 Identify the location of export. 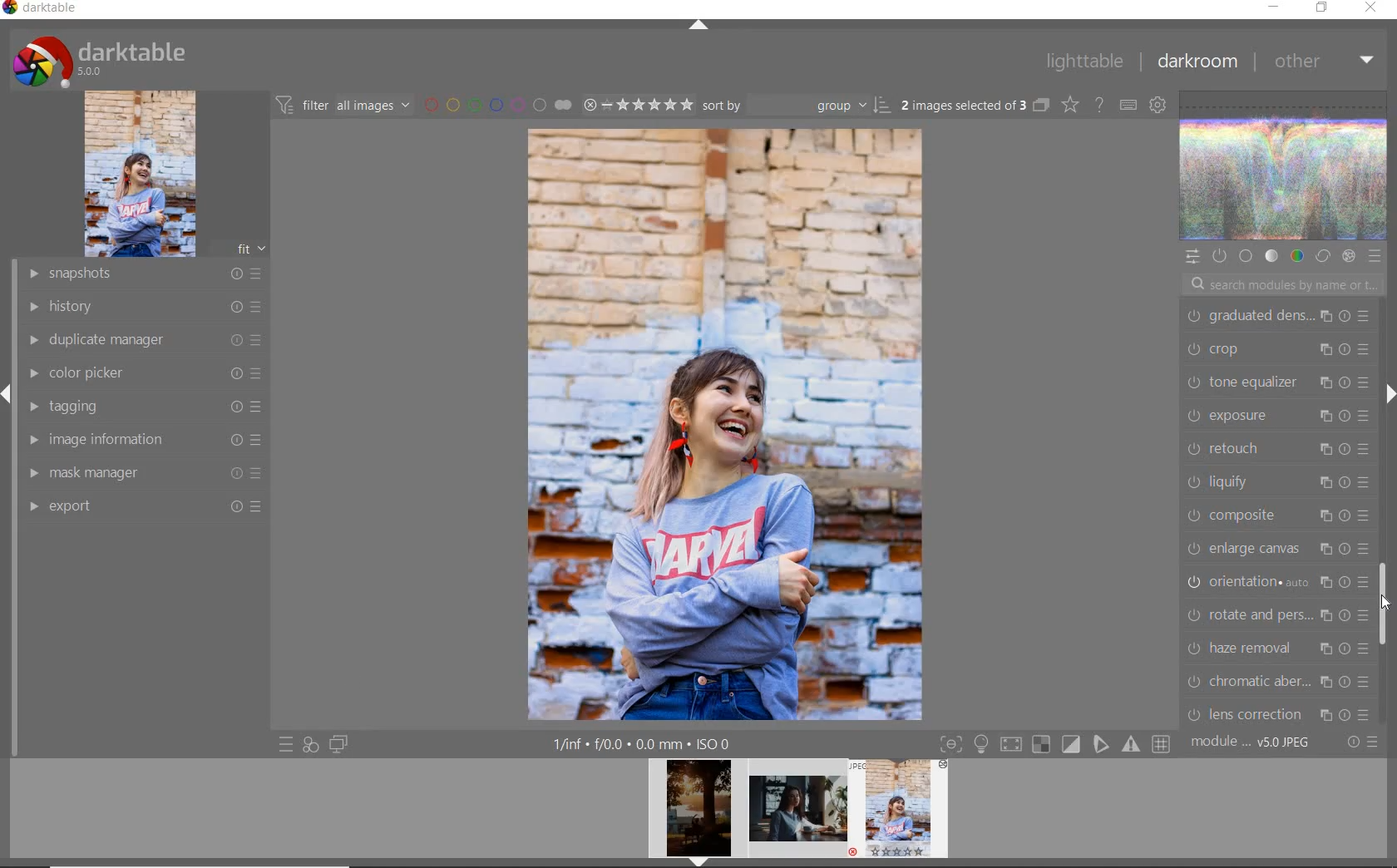
(143, 506).